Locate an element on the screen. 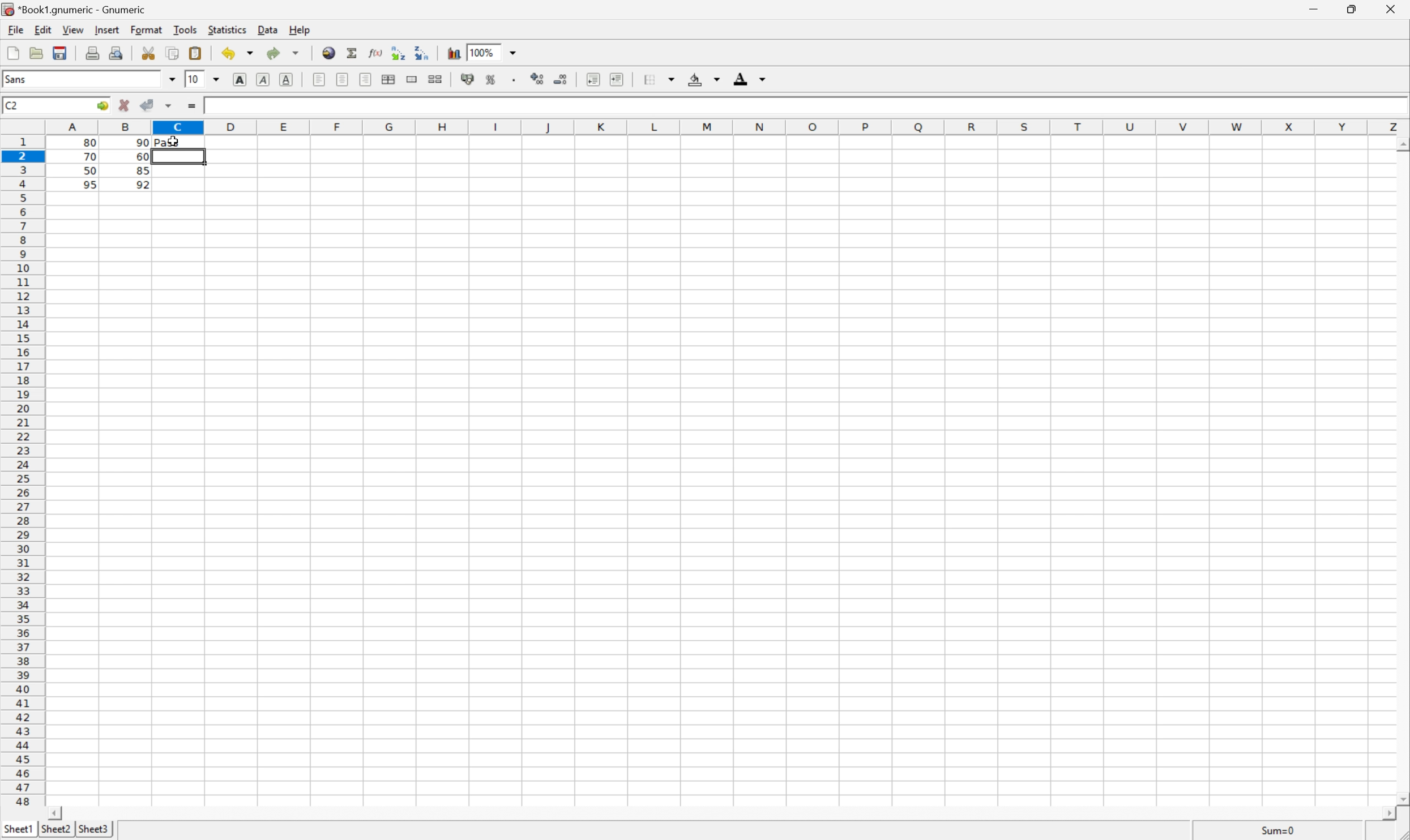 The width and height of the screenshot is (1410, 840). Sum=80 is located at coordinates (1277, 830).